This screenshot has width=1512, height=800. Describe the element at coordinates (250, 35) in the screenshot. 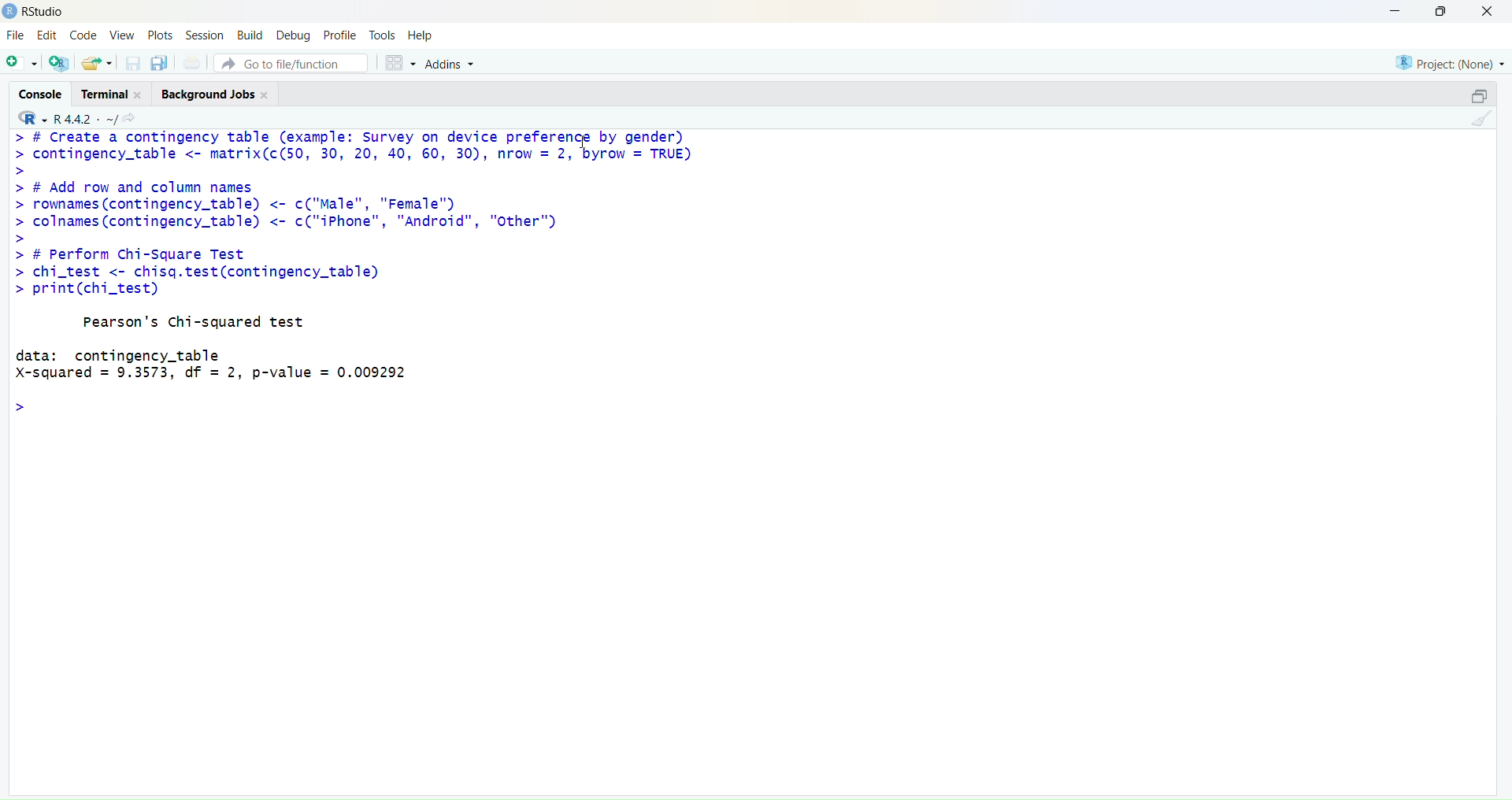

I see `Build` at that location.